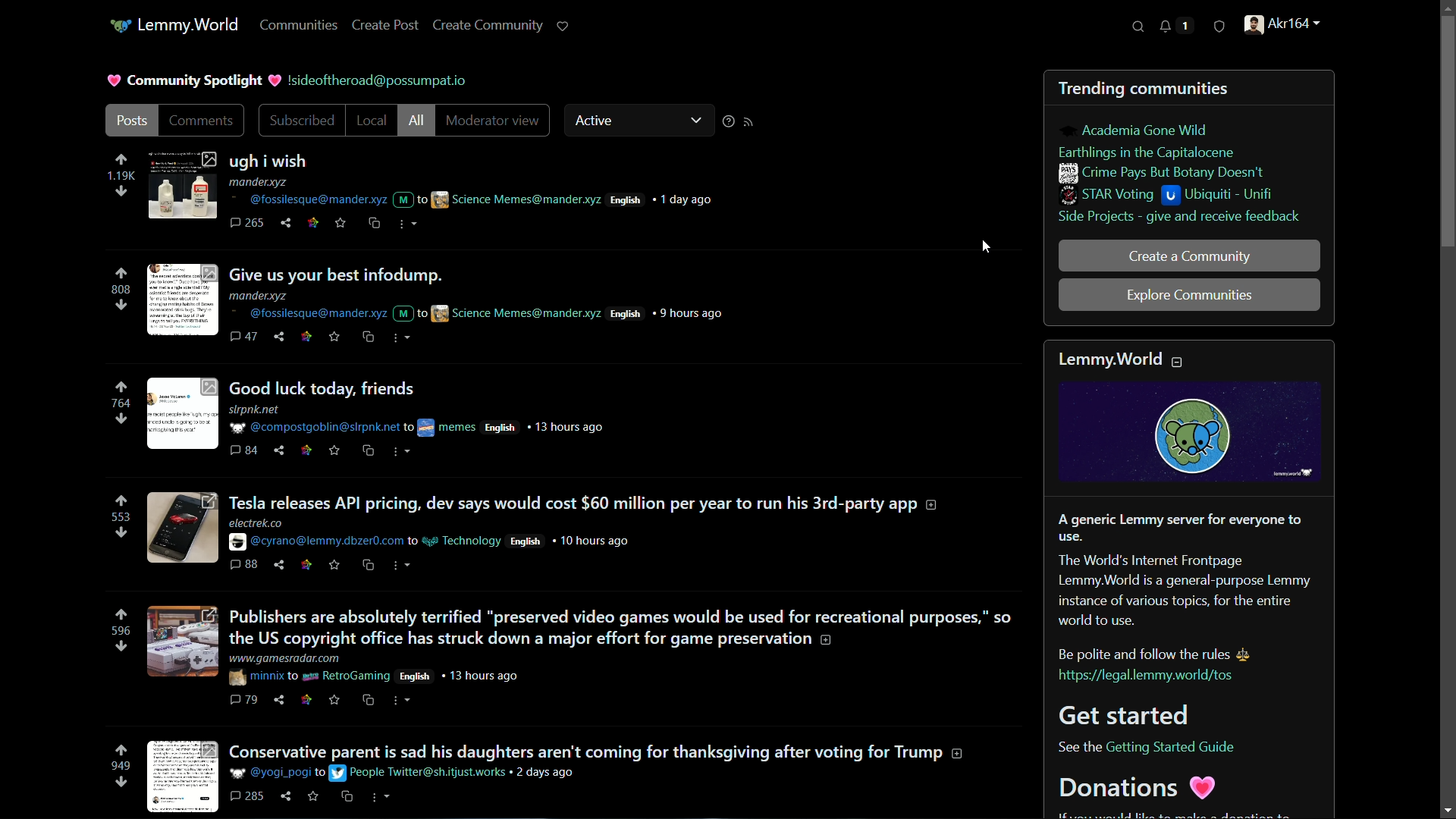  What do you see at coordinates (122, 614) in the screenshot?
I see `upvote` at bounding box center [122, 614].